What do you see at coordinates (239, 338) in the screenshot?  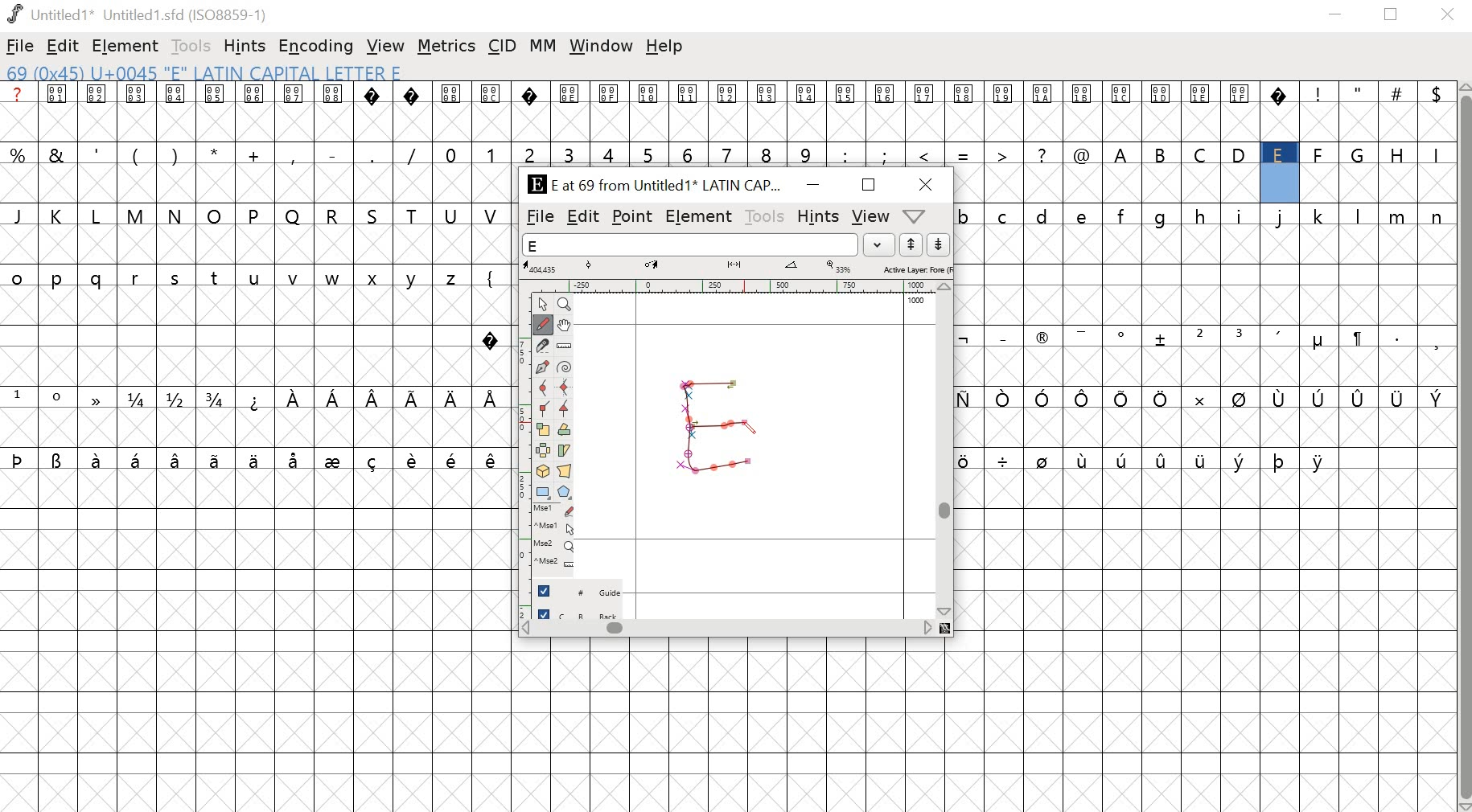 I see `empty cells` at bounding box center [239, 338].